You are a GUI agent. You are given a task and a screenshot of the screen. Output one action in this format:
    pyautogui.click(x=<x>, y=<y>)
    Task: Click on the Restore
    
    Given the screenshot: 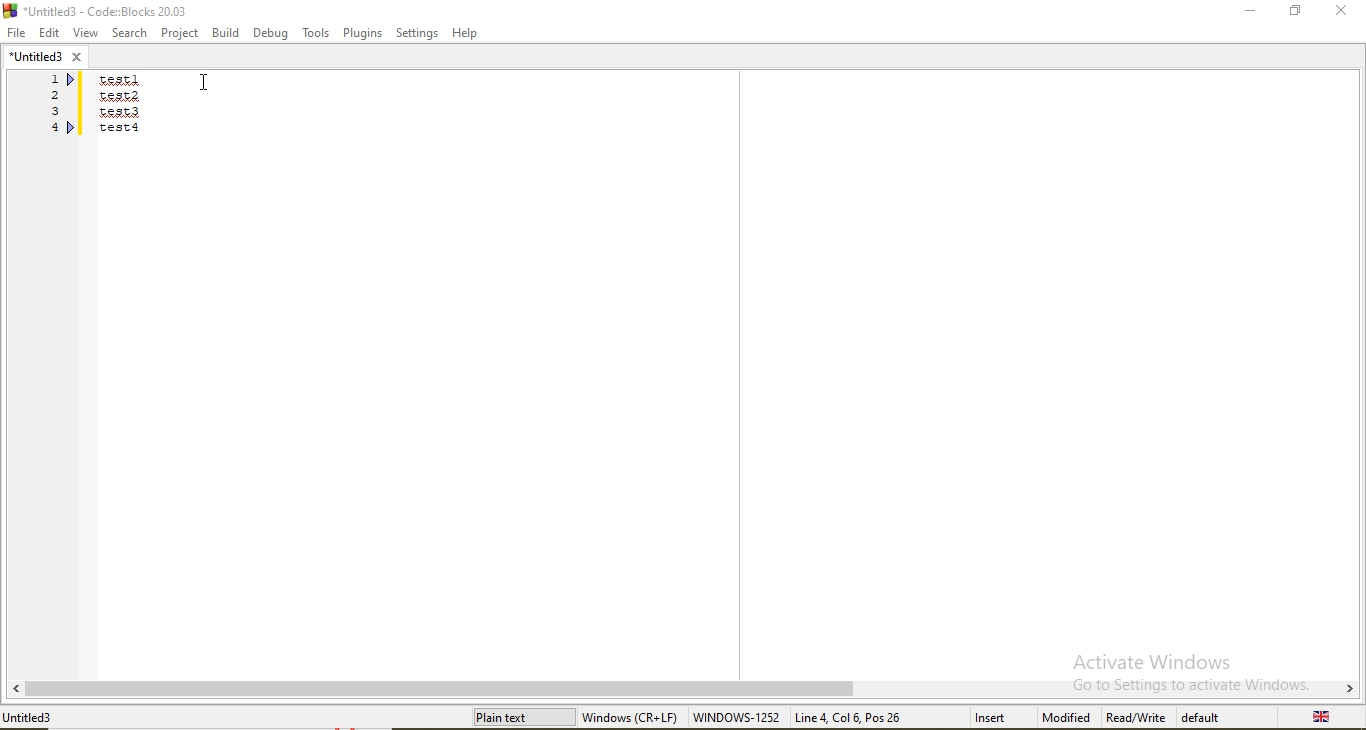 What is the action you would take?
    pyautogui.click(x=1294, y=10)
    